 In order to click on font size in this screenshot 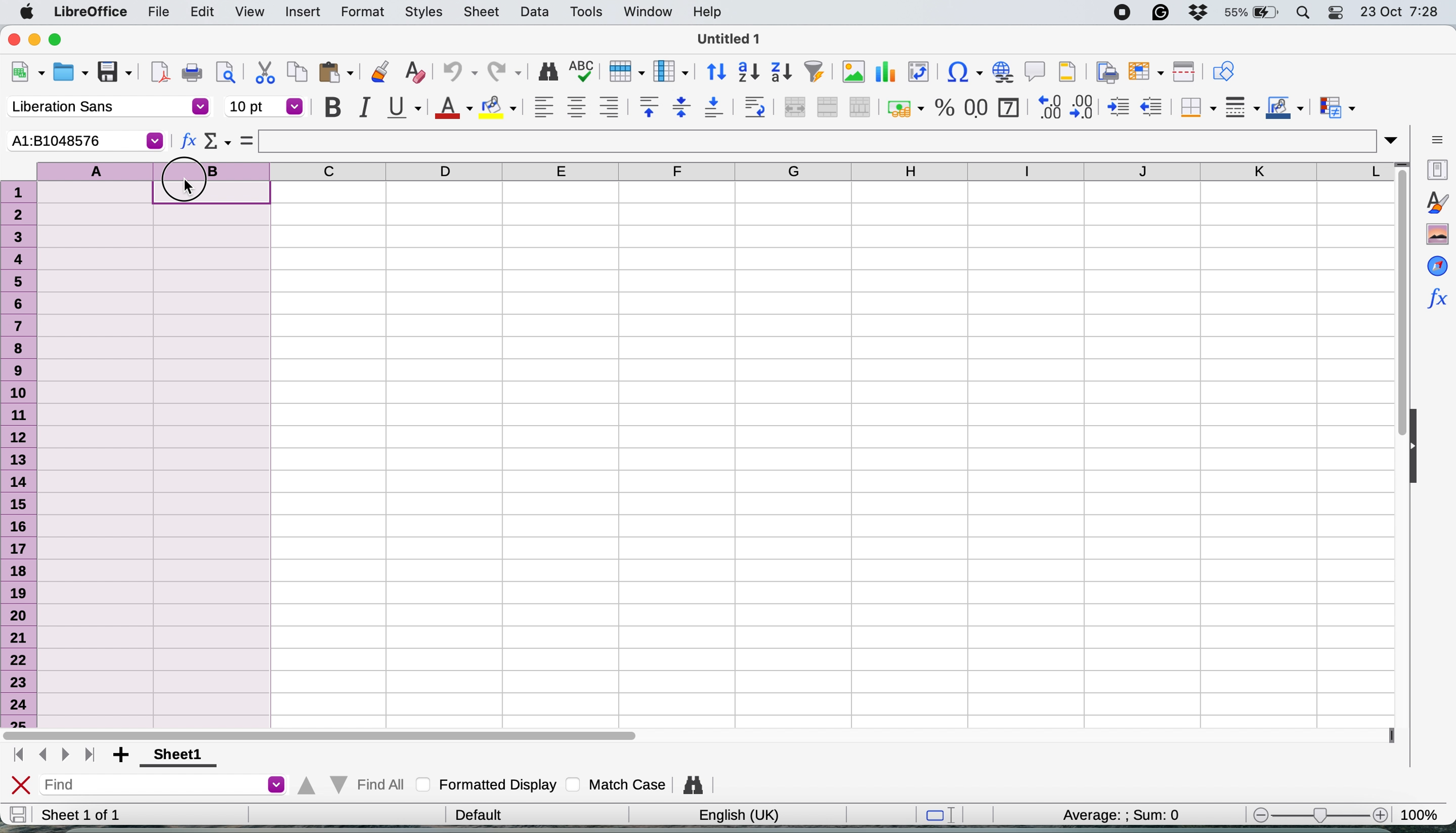, I will do `click(265, 106)`.